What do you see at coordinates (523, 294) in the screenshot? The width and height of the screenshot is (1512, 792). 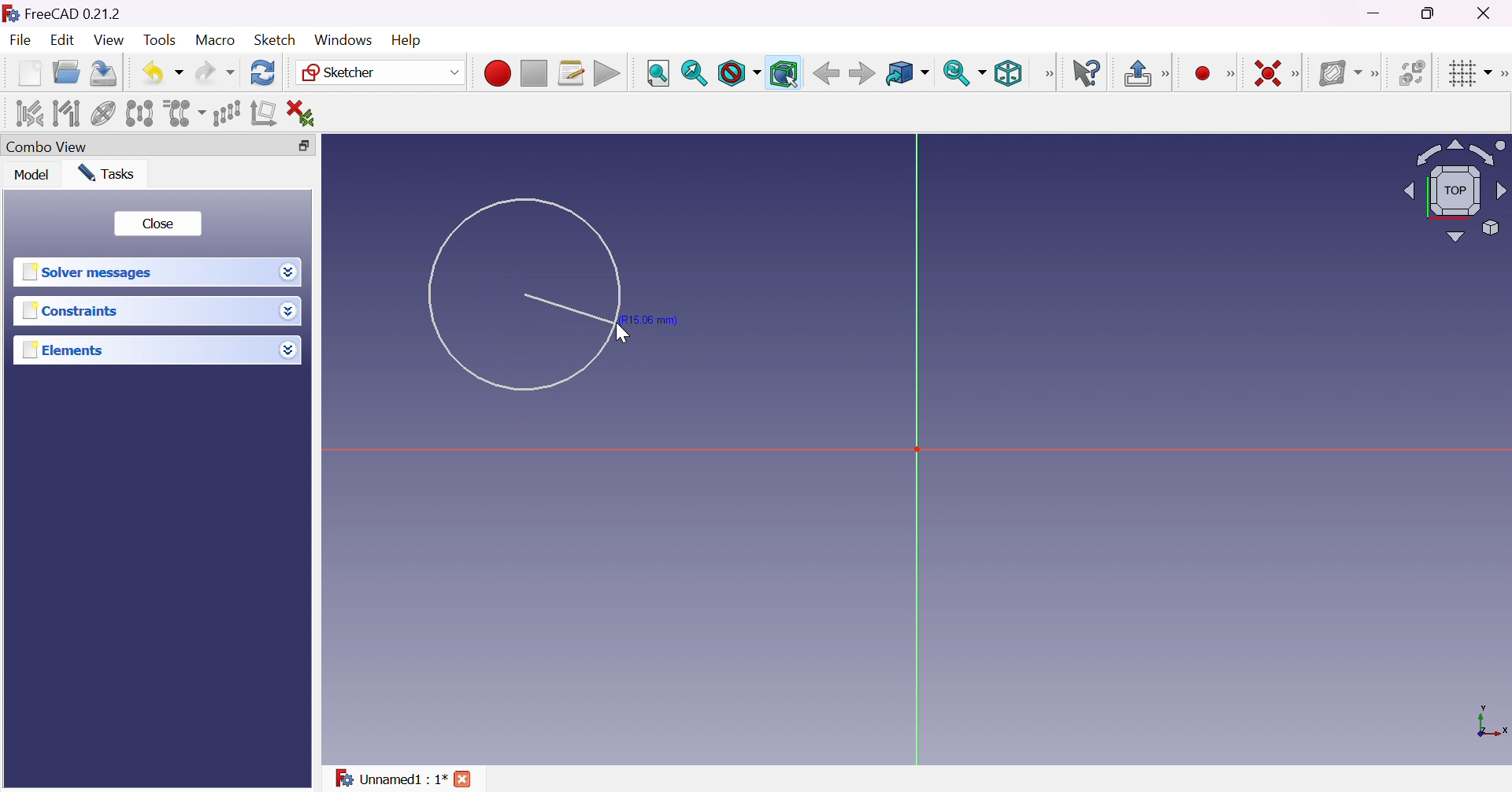 I see `Circle` at bounding box center [523, 294].